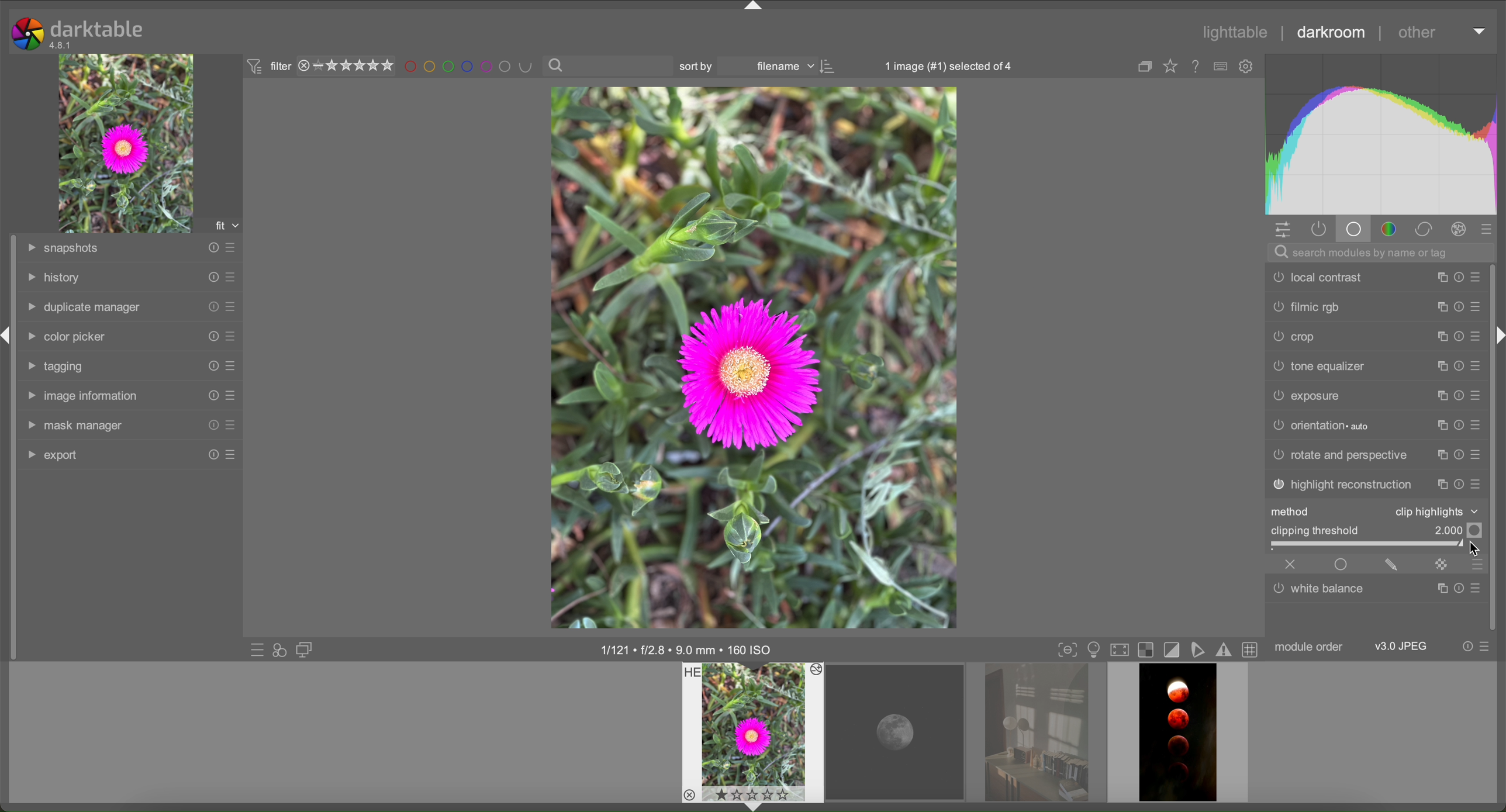  I want to click on orientation auto, so click(1320, 424).